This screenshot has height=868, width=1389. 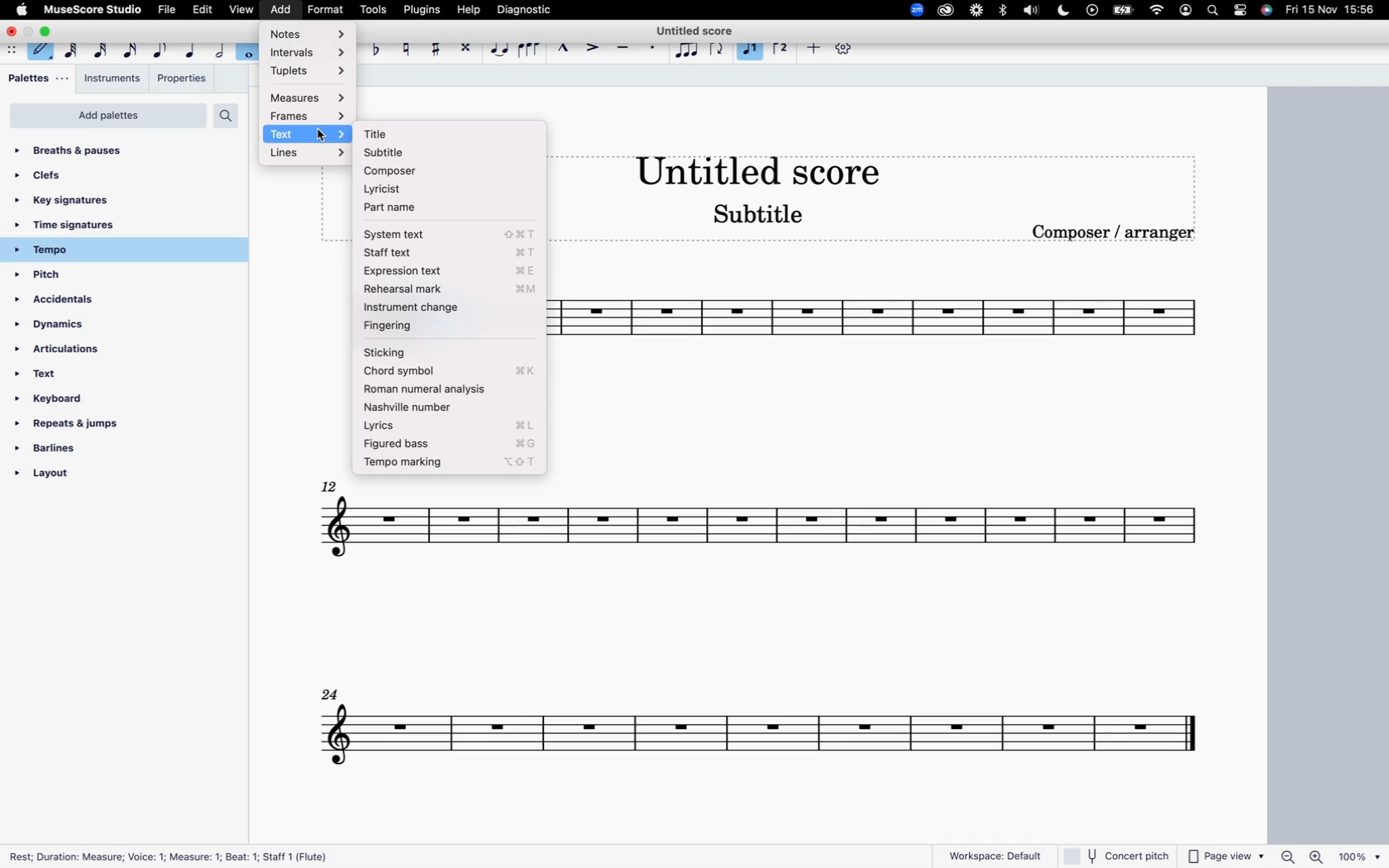 I want to click on voice 2, so click(x=780, y=45).